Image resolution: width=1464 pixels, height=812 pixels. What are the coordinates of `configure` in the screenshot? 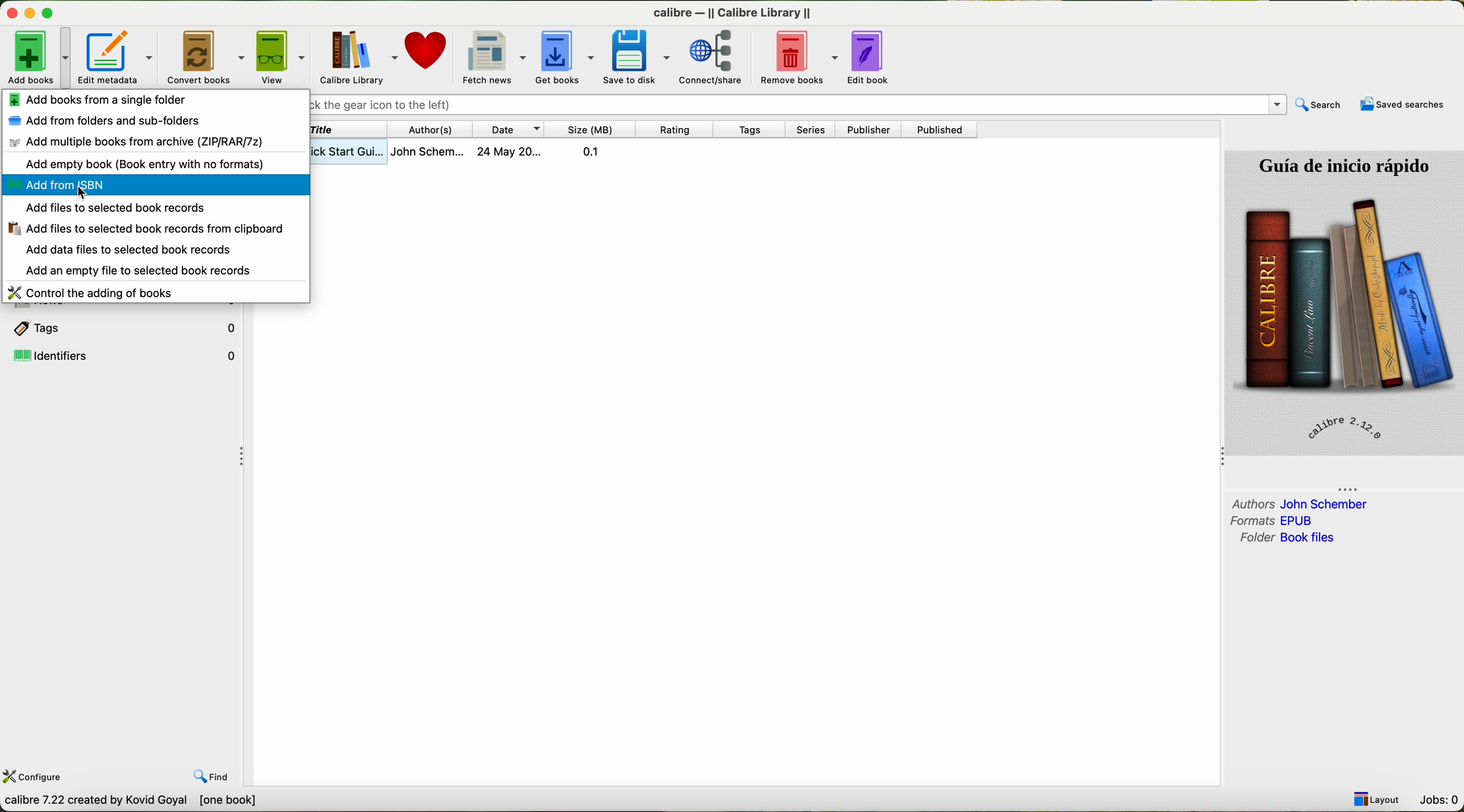 It's located at (34, 778).